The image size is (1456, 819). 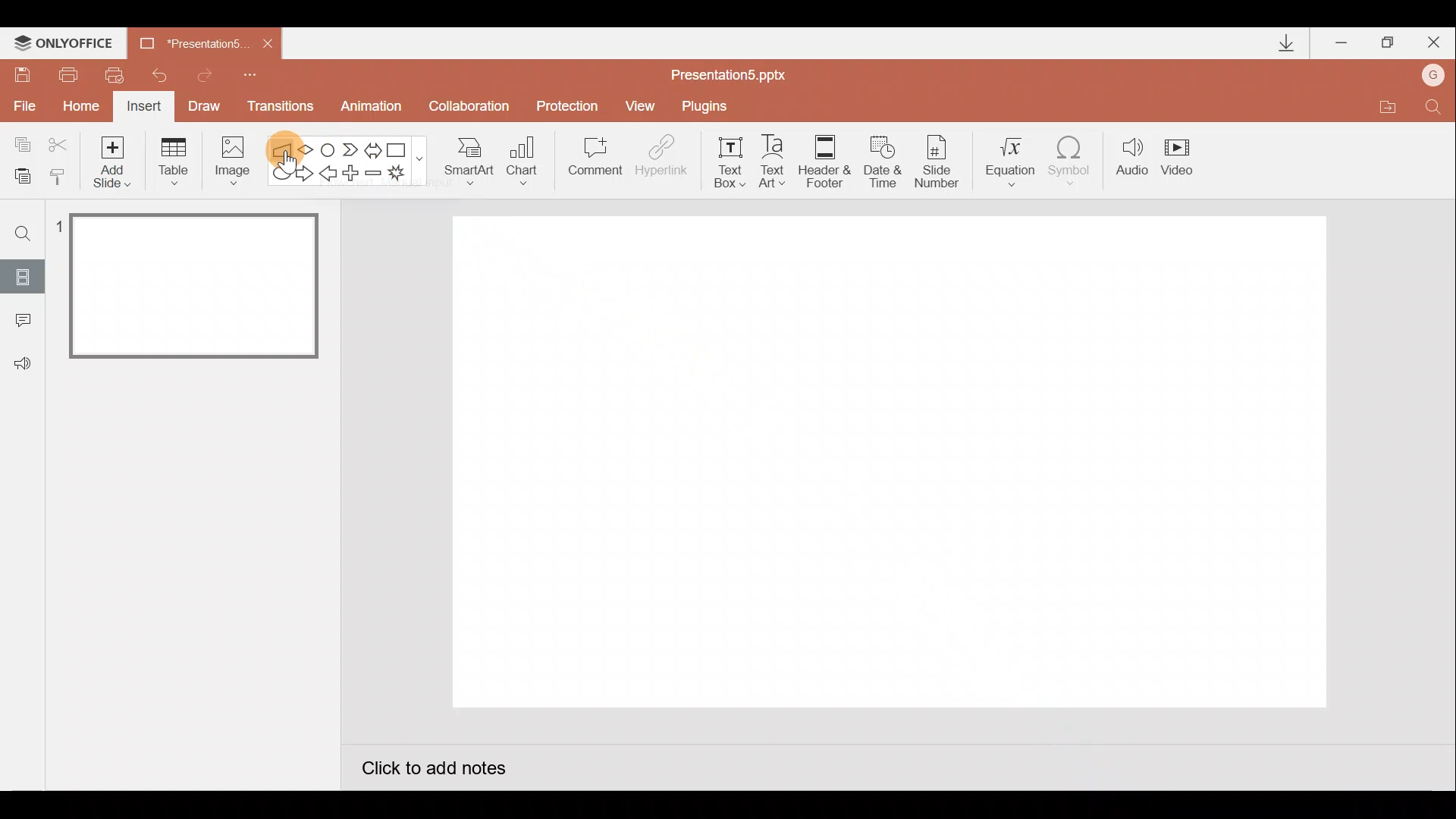 What do you see at coordinates (1133, 160) in the screenshot?
I see `Audio` at bounding box center [1133, 160].